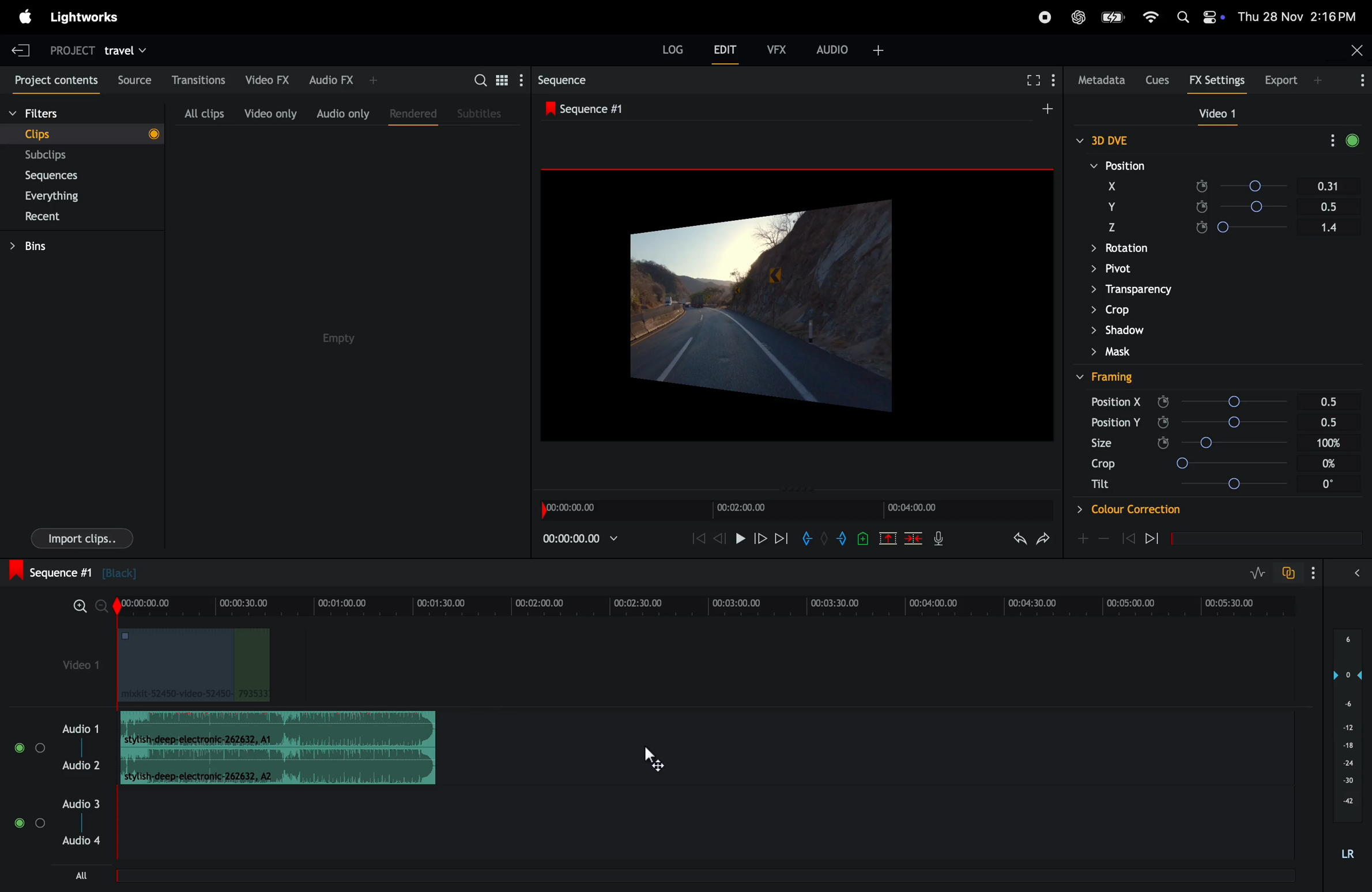  What do you see at coordinates (1111, 207) in the screenshot?
I see `size` at bounding box center [1111, 207].